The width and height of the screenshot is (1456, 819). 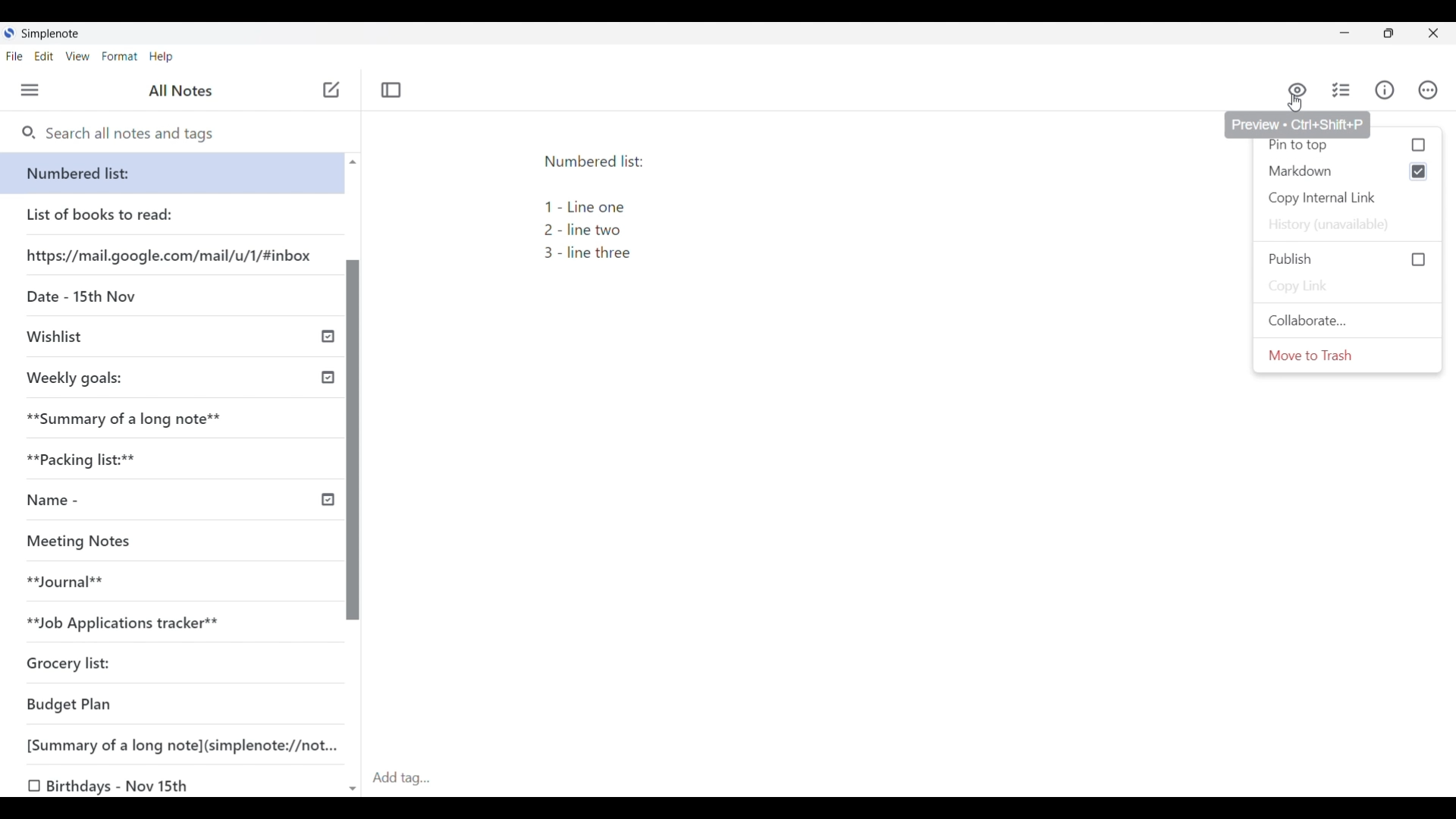 What do you see at coordinates (1348, 224) in the screenshot?
I see `History` at bounding box center [1348, 224].